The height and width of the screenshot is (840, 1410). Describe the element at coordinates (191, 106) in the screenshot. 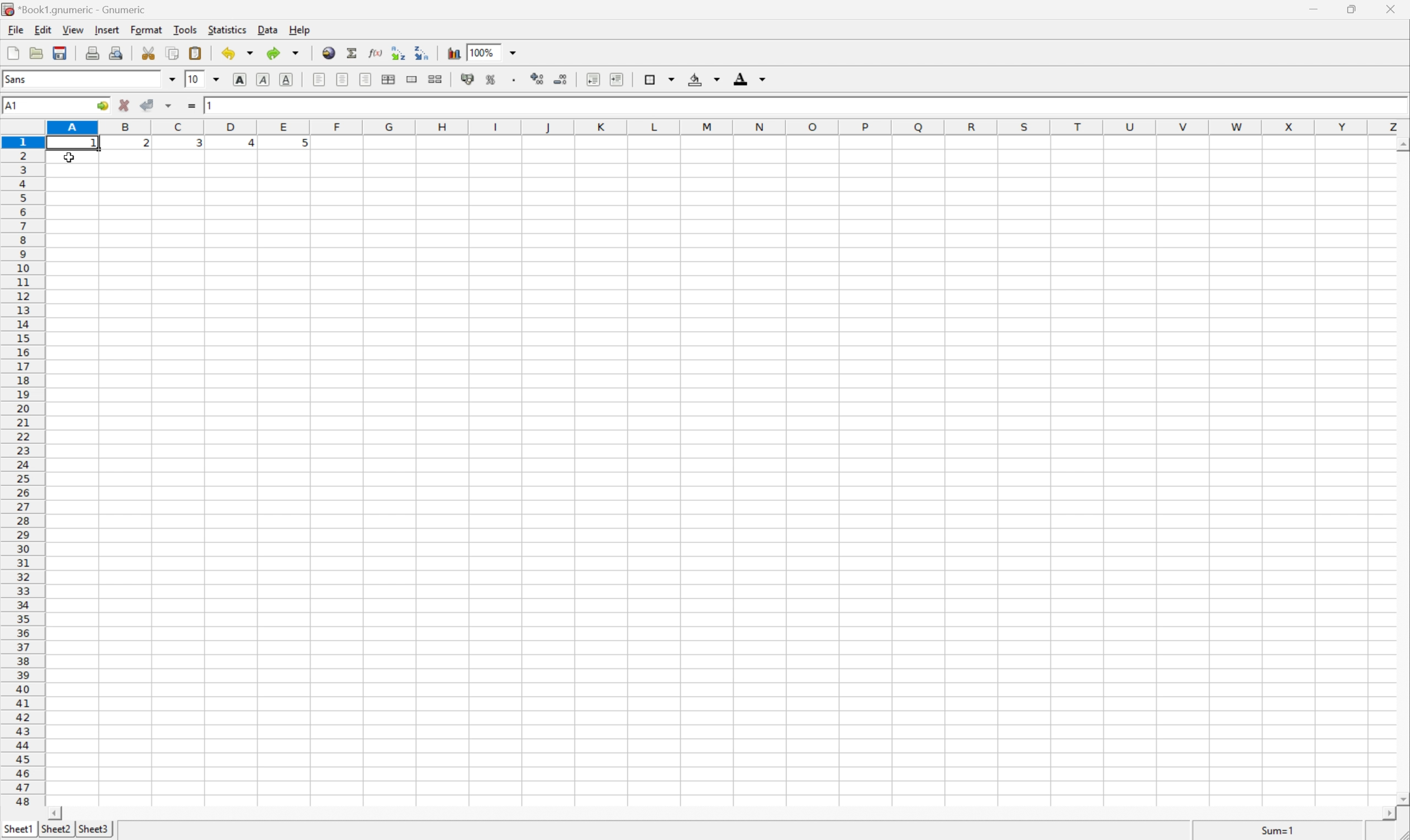

I see `enter formula` at that location.